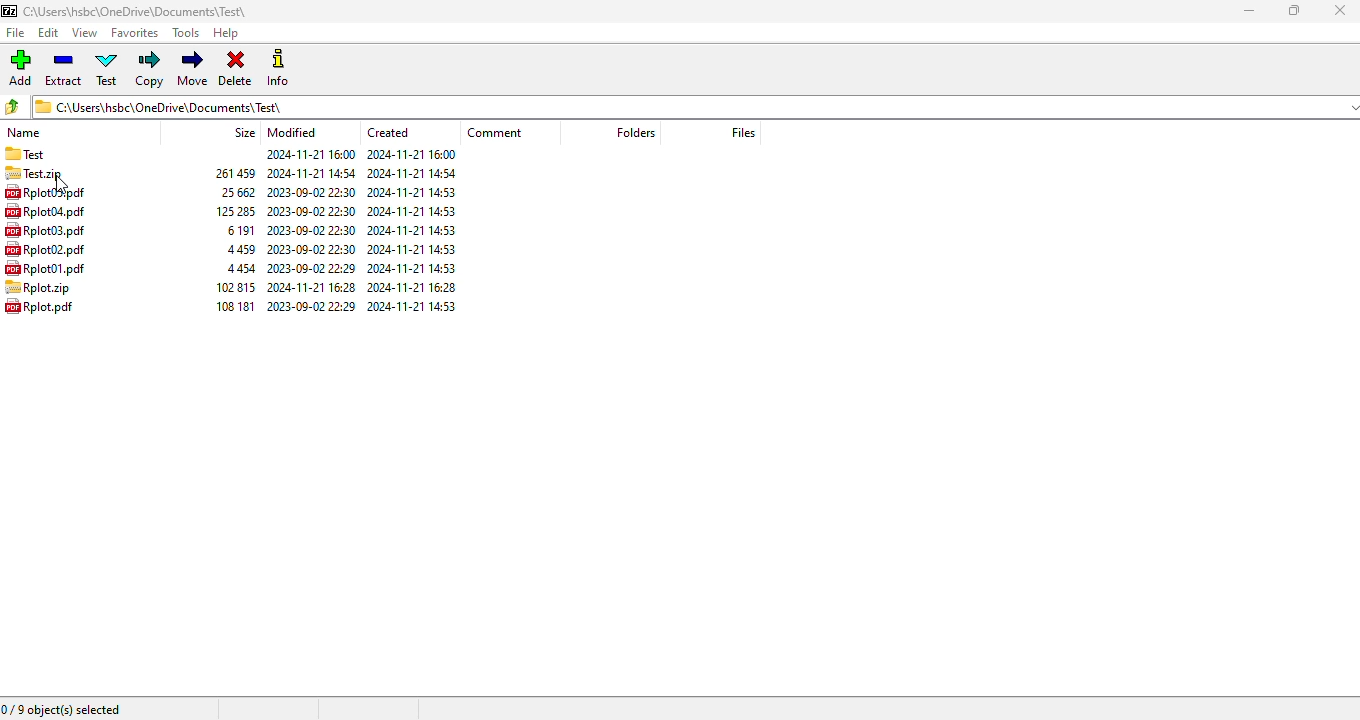  Describe the element at coordinates (238, 230) in the screenshot. I see `size` at that location.